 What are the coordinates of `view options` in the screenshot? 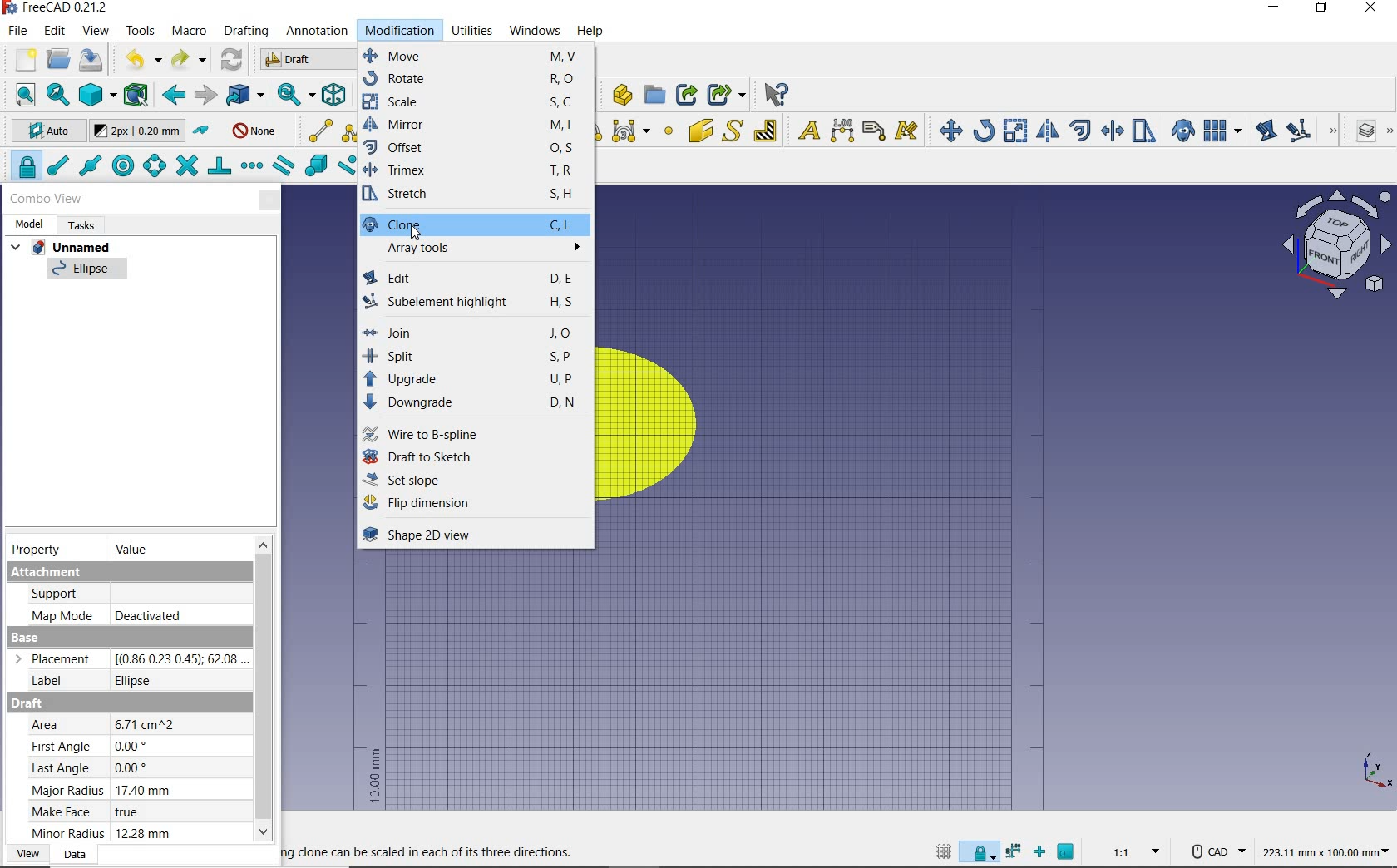 It's located at (1336, 244).